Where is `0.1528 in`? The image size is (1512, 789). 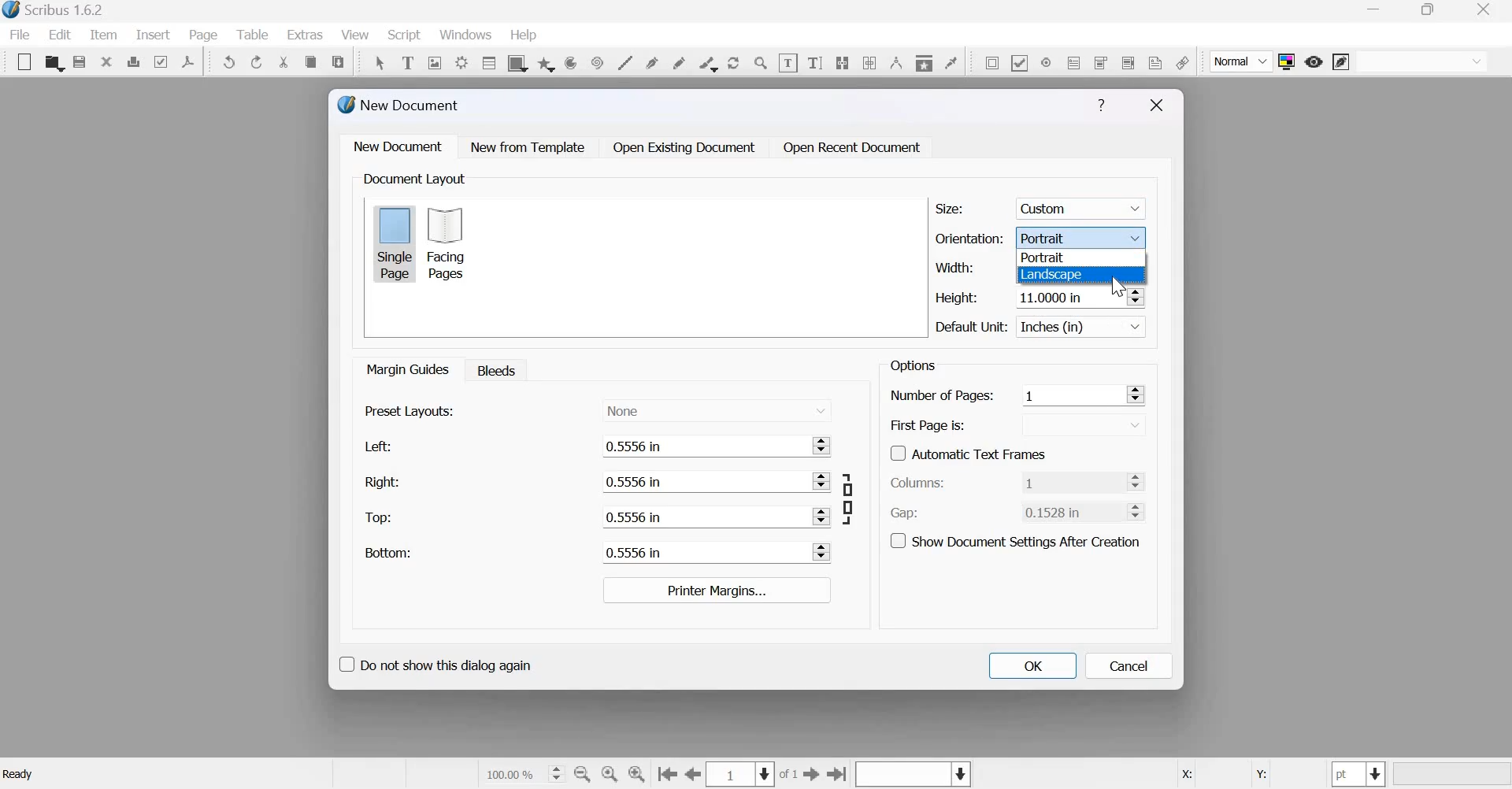
0.1528 in is located at coordinates (1070, 511).